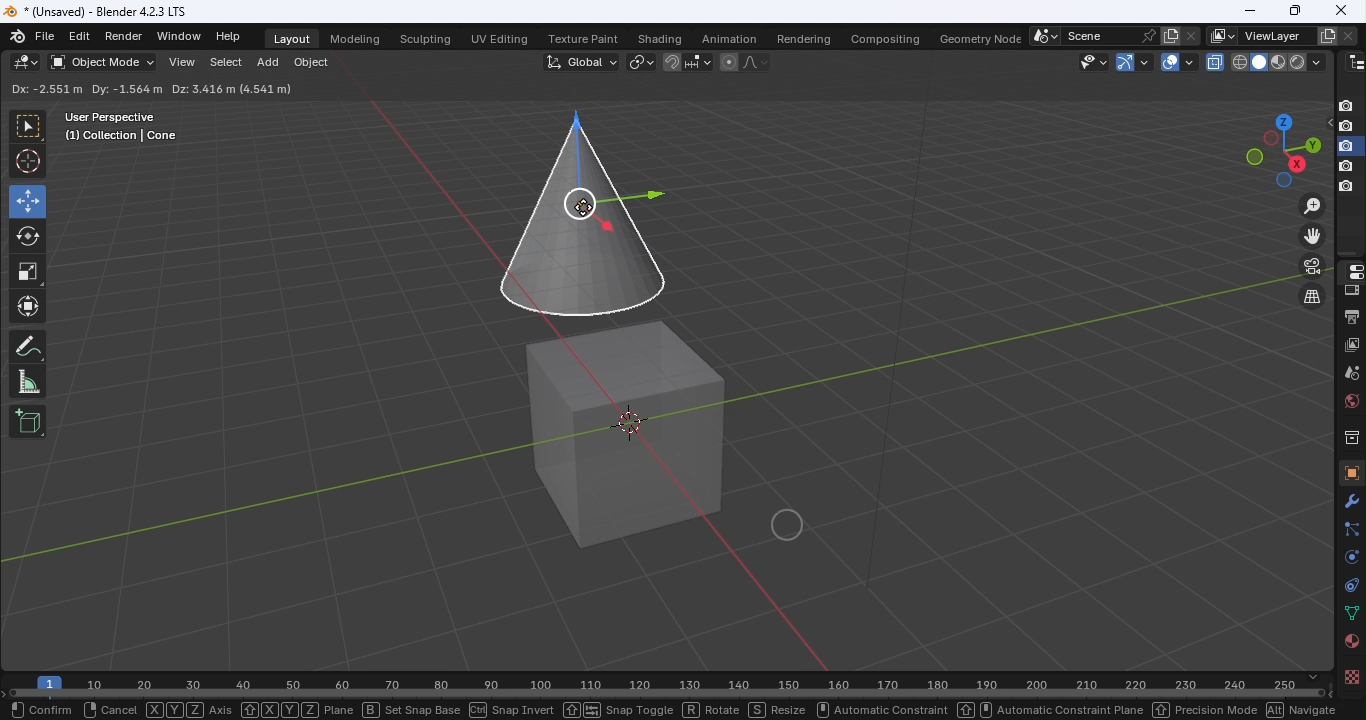 This screenshot has height=720, width=1366. Describe the element at coordinates (29, 162) in the screenshot. I see `Cursor` at that location.